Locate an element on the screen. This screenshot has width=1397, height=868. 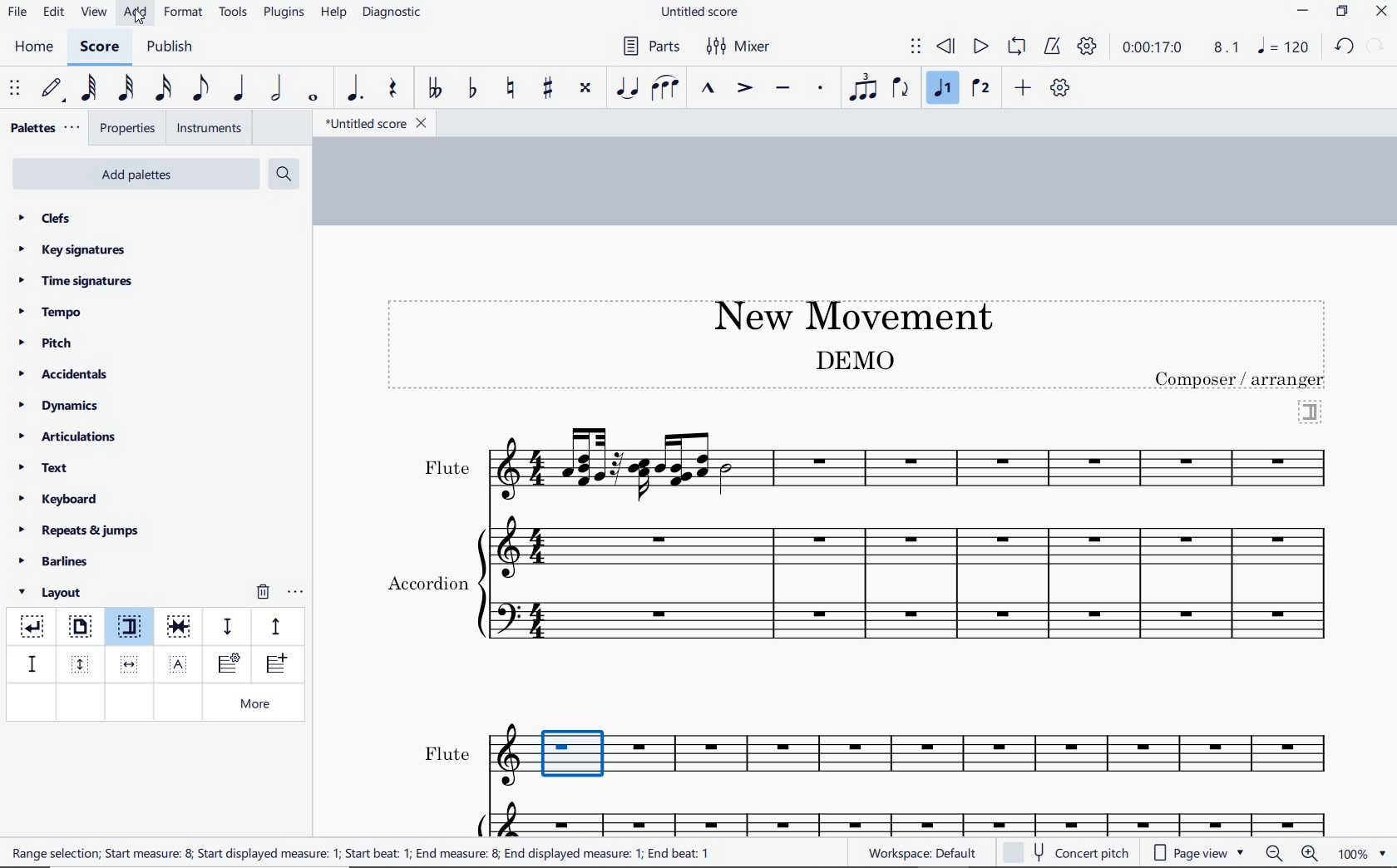
redo is located at coordinates (1377, 45).